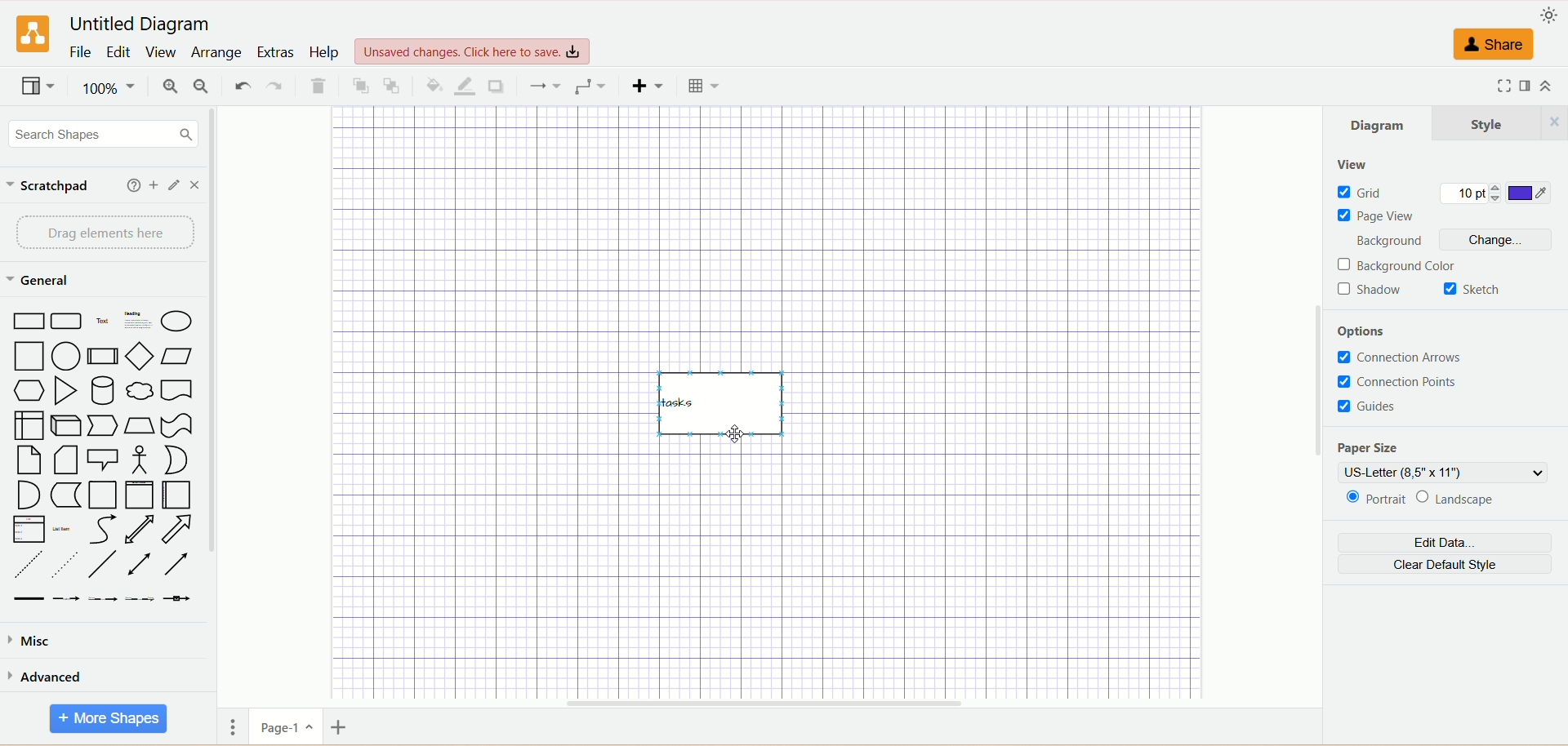  Describe the element at coordinates (1499, 124) in the screenshot. I see `style` at that location.